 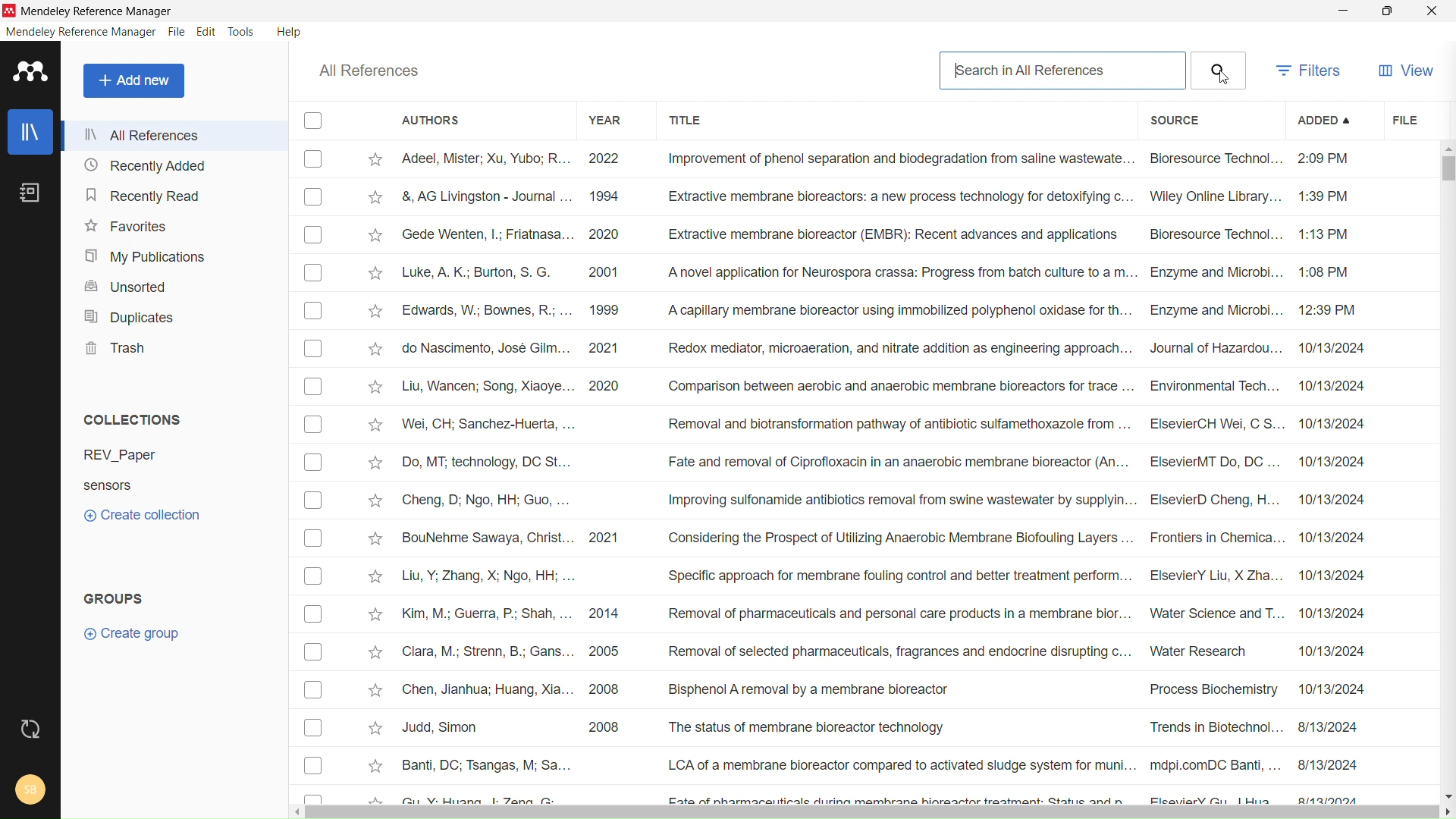 What do you see at coordinates (886, 612) in the screenshot?
I see `Kim, M.; Guerra, P; Shah, ... 2014 Removal of pharmaceuticals and personal care products in a membrane bior... Water Science and T... 10/13/2024` at bounding box center [886, 612].